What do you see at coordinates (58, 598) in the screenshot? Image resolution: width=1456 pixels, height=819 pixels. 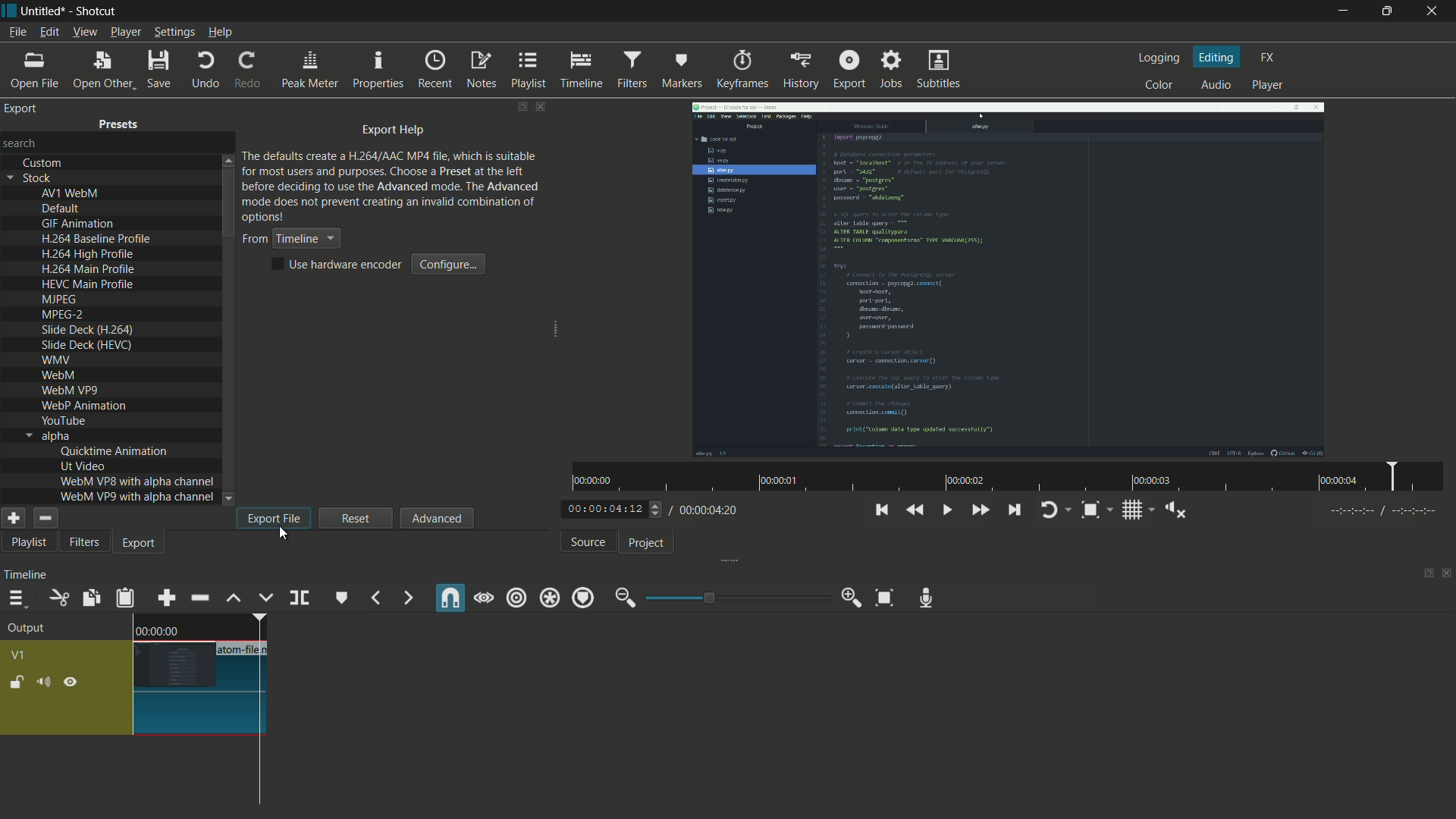 I see `cut` at bounding box center [58, 598].